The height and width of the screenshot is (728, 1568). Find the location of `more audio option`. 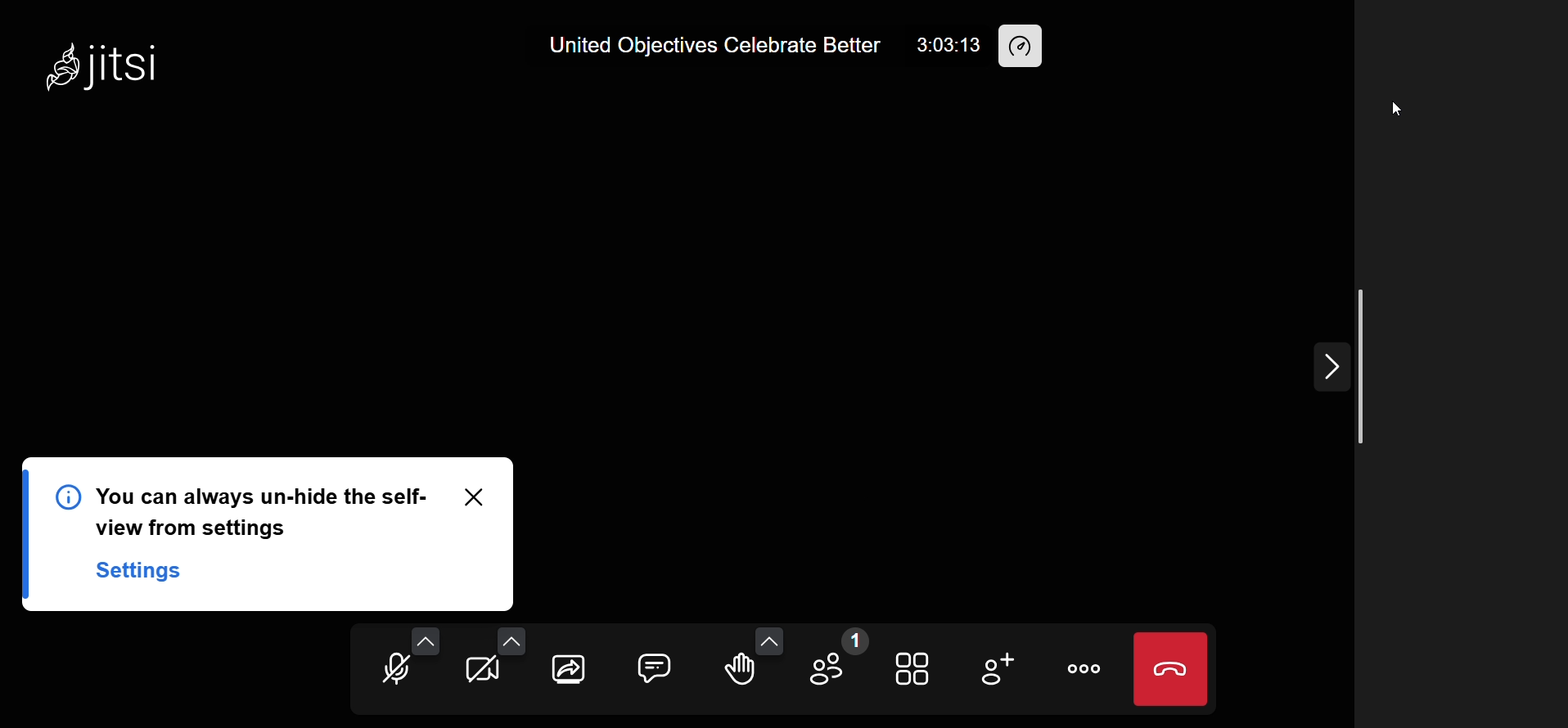

more audio option is located at coordinates (428, 640).